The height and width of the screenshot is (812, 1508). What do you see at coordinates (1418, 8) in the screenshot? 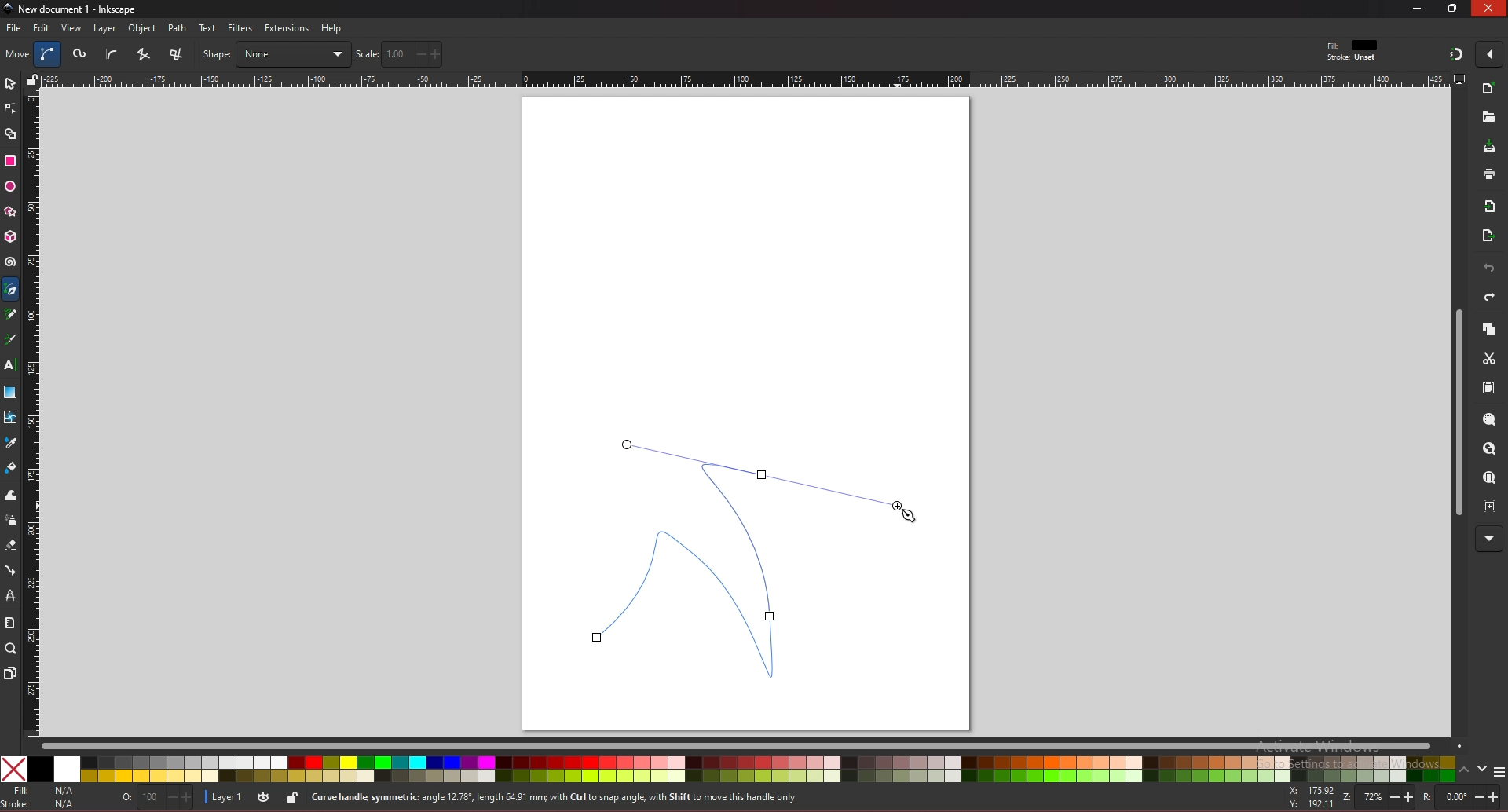
I see `minimize` at bounding box center [1418, 8].